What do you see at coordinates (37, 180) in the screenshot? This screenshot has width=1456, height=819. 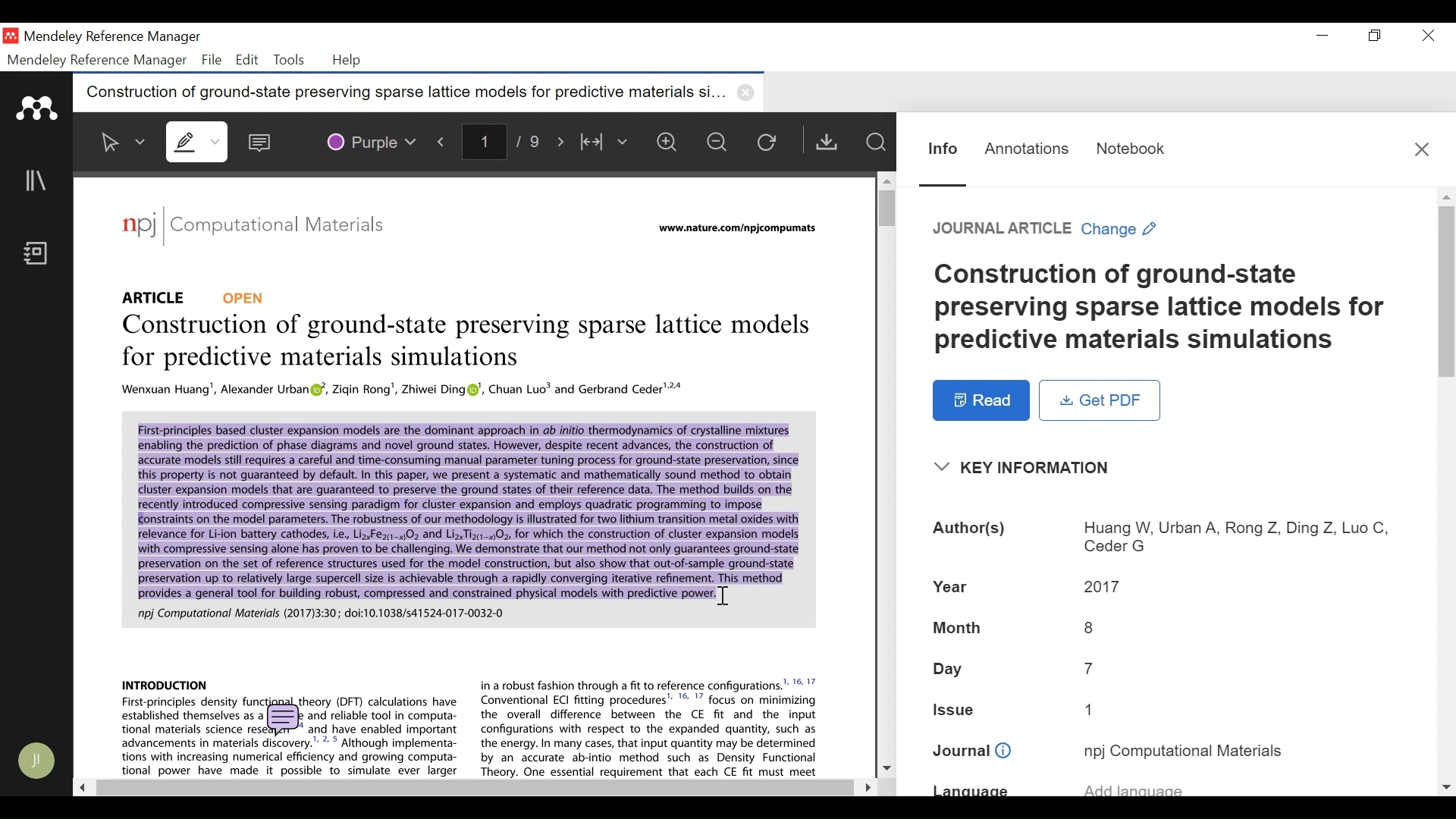 I see `Library` at bounding box center [37, 180].